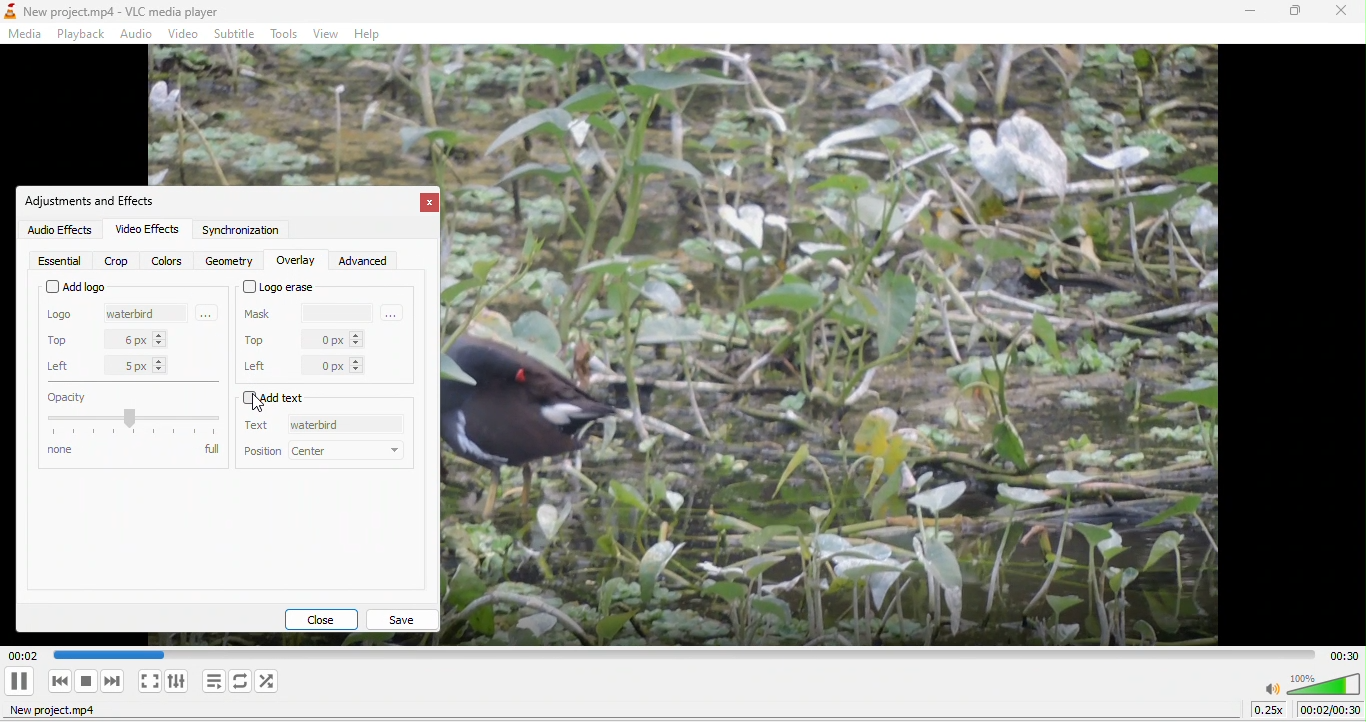 The height and width of the screenshot is (722, 1366). What do you see at coordinates (212, 682) in the screenshot?
I see `toggle playlist` at bounding box center [212, 682].